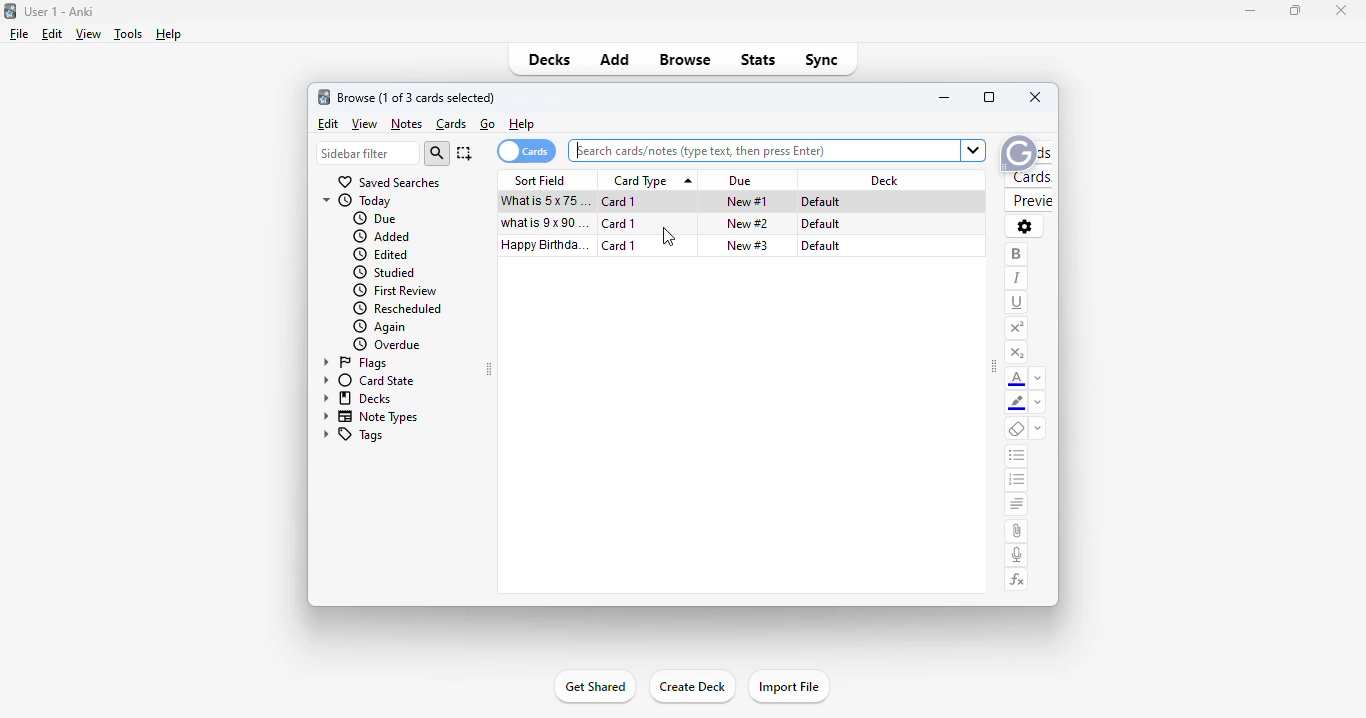 This screenshot has height=718, width=1366. What do you see at coordinates (390, 183) in the screenshot?
I see `saved searches` at bounding box center [390, 183].